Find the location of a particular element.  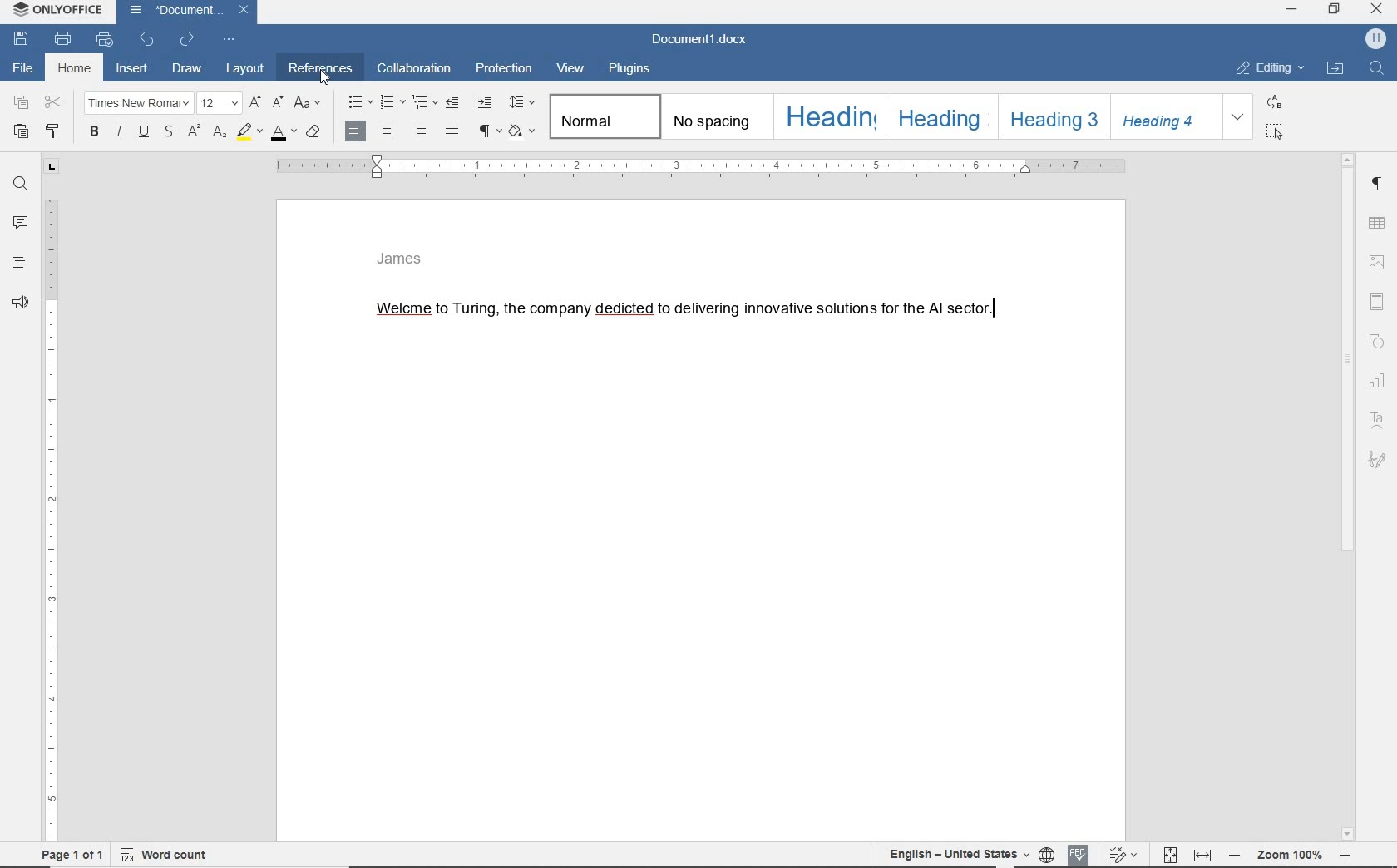

Welcme to Turing, the company dedicted to delivering innovative solutions for the Al sector is located at coordinates (683, 311).